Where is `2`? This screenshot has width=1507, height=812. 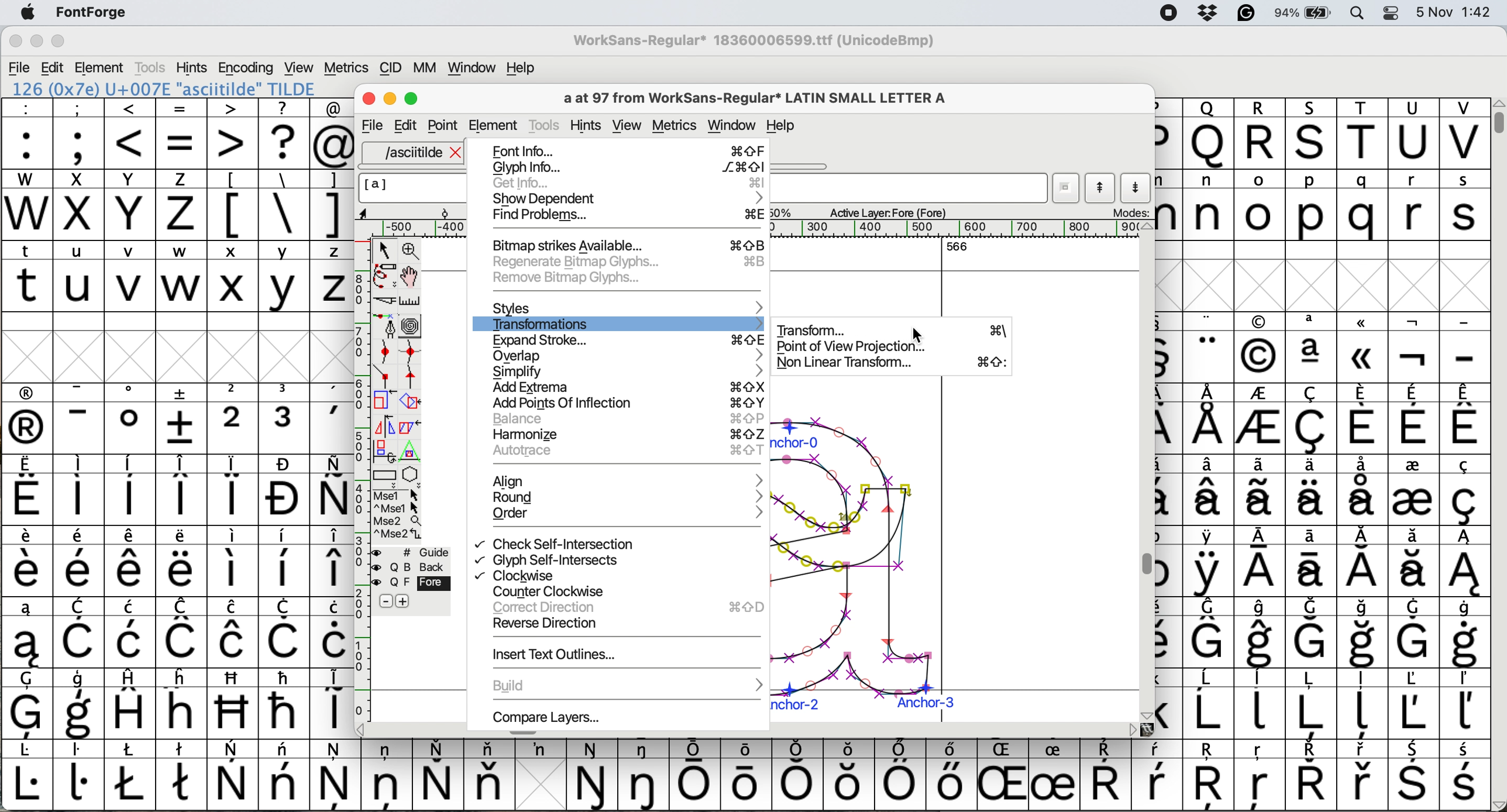
2 is located at coordinates (233, 418).